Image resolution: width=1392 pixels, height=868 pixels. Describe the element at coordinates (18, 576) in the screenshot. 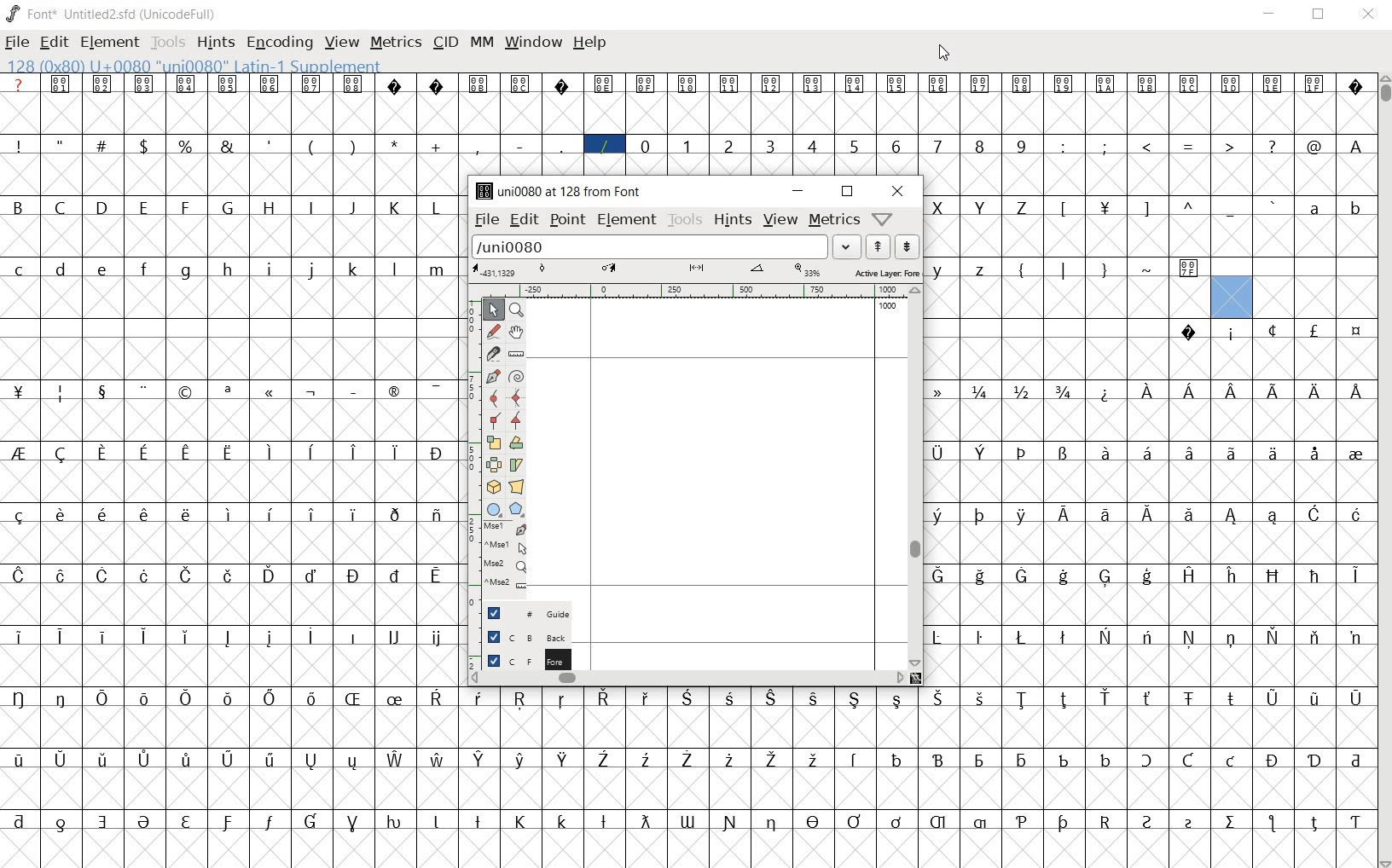

I see `glyph` at that location.